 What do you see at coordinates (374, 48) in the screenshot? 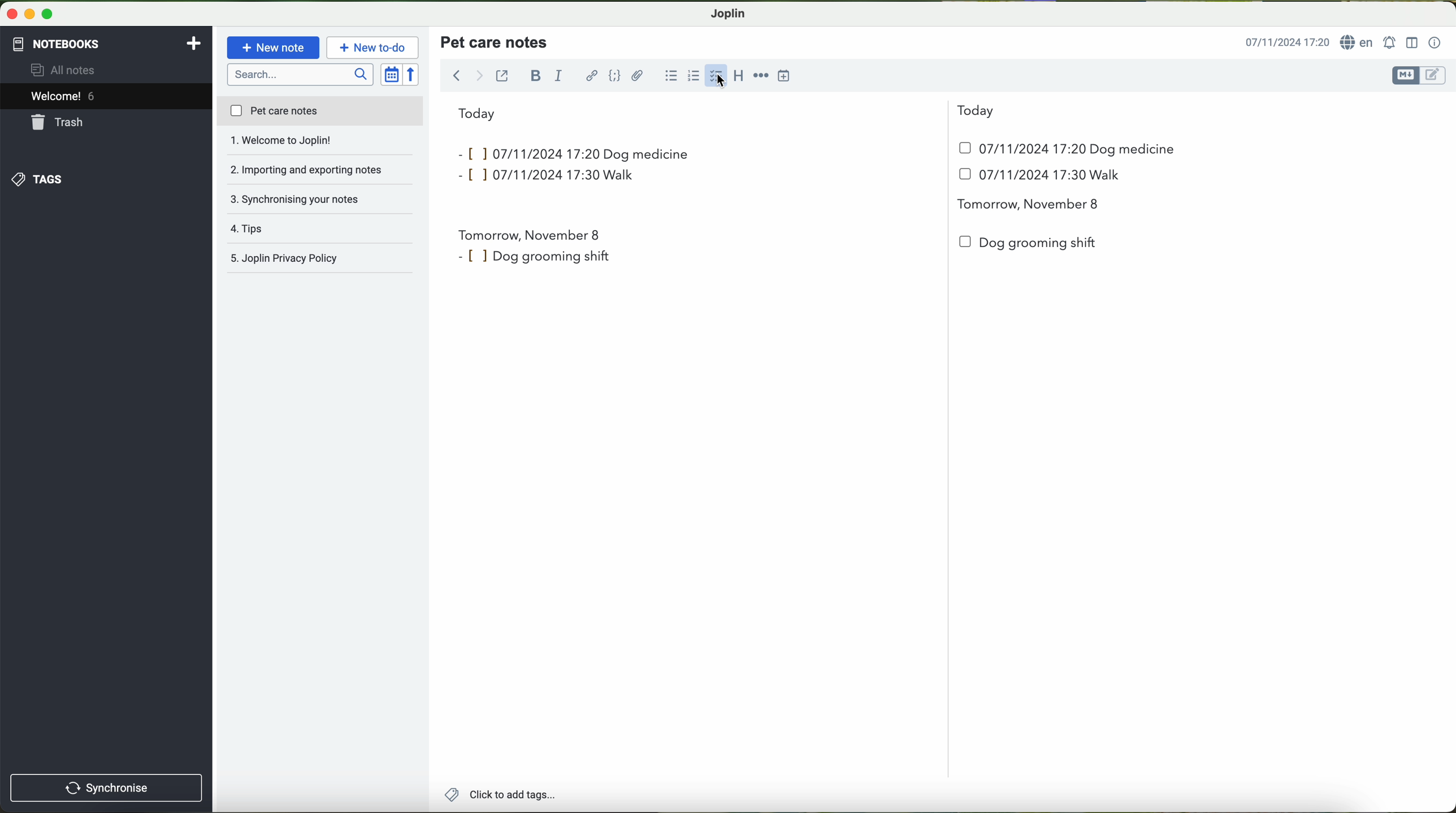
I see `cursor on new to-do button ` at bounding box center [374, 48].